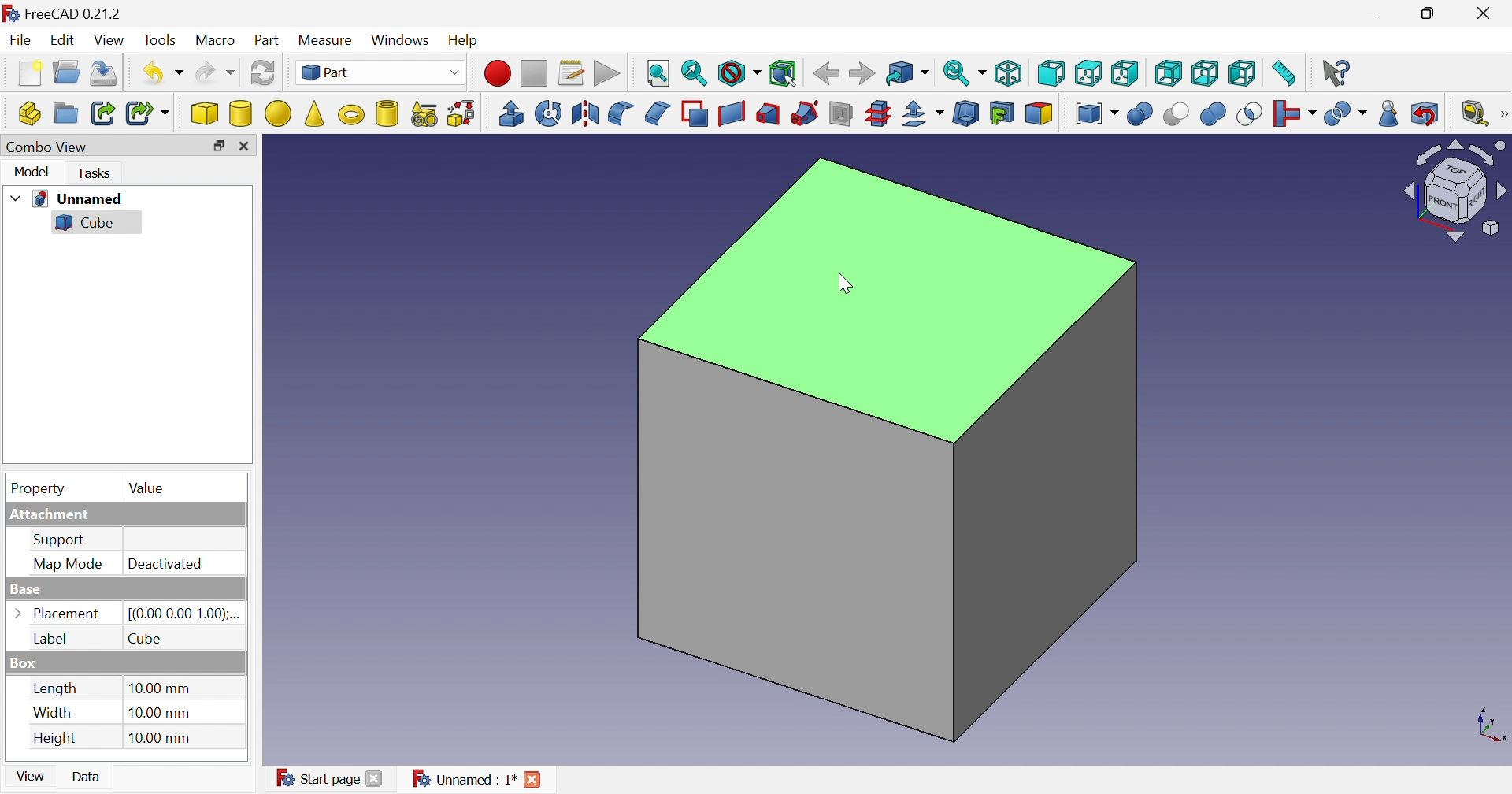 This screenshot has height=794, width=1512. Describe the element at coordinates (216, 72) in the screenshot. I see `Redo` at that location.